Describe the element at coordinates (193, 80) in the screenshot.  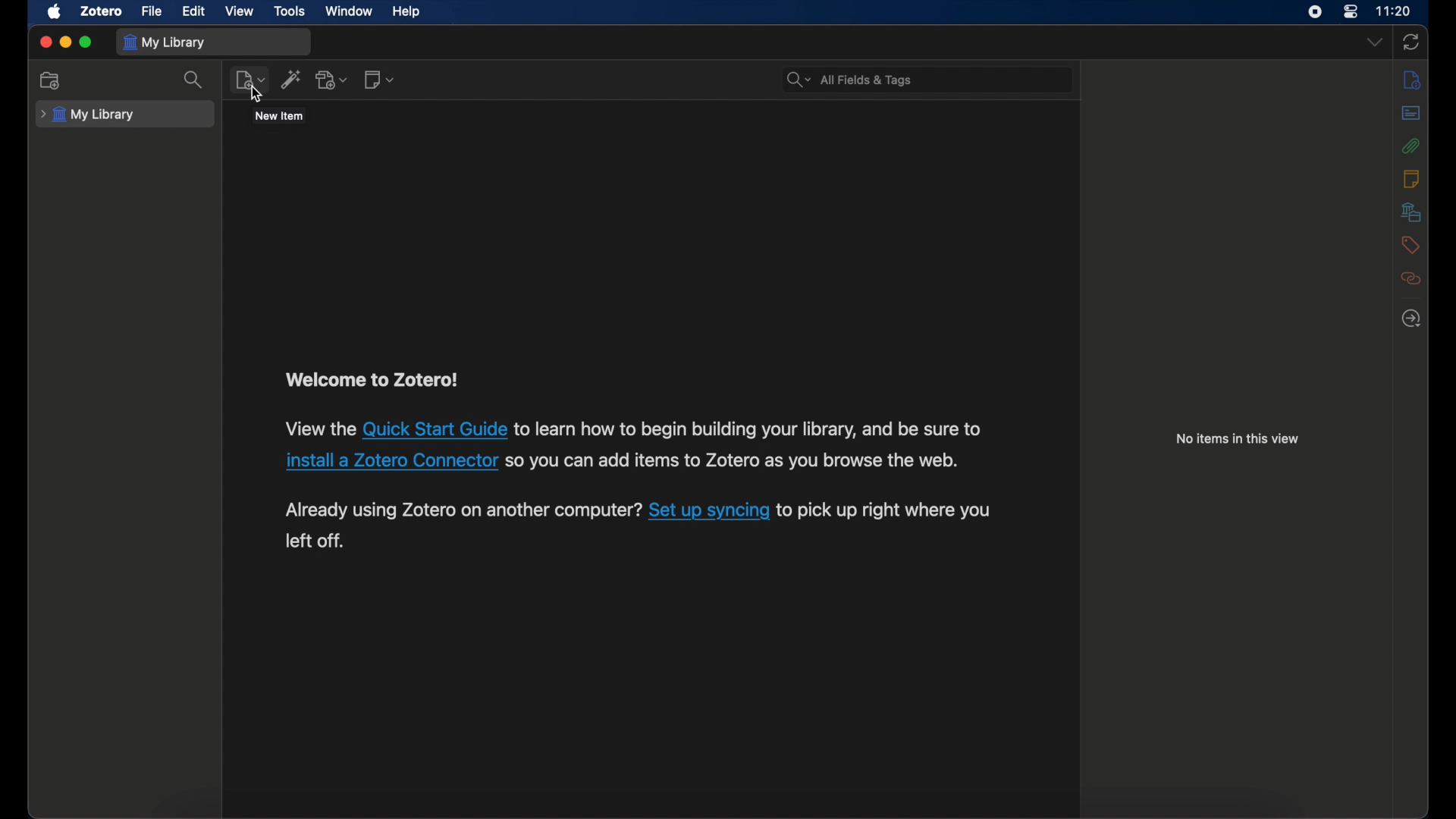
I see `search` at that location.